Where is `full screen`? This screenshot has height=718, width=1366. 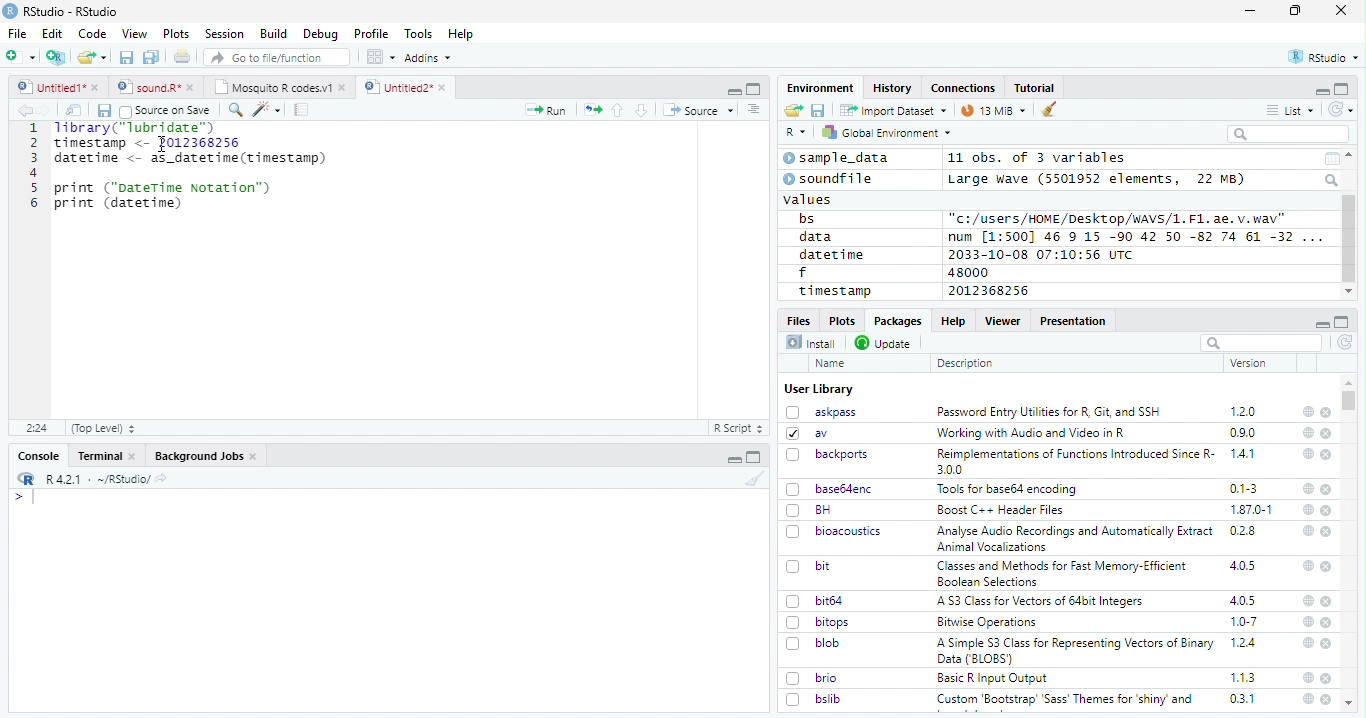
full screen is located at coordinates (1342, 89).